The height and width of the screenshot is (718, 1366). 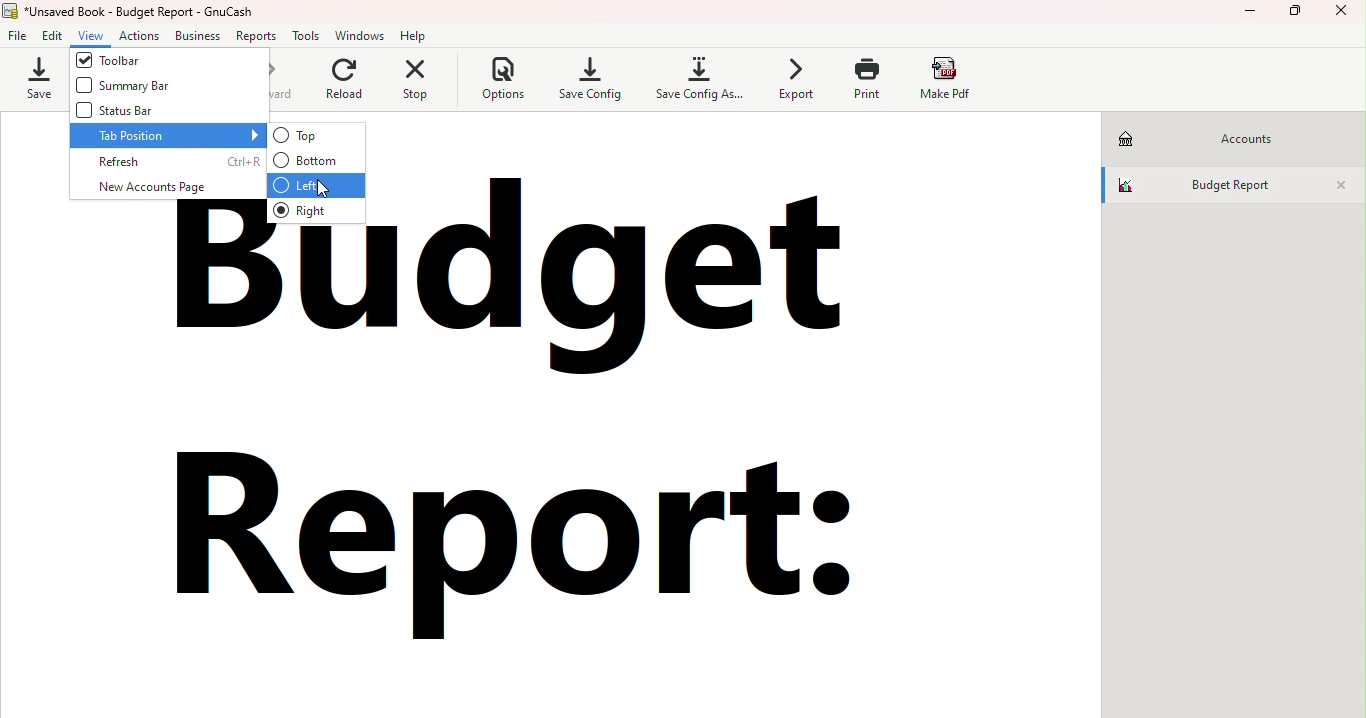 What do you see at coordinates (499, 81) in the screenshot?
I see `Options` at bounding box center [499, 81].